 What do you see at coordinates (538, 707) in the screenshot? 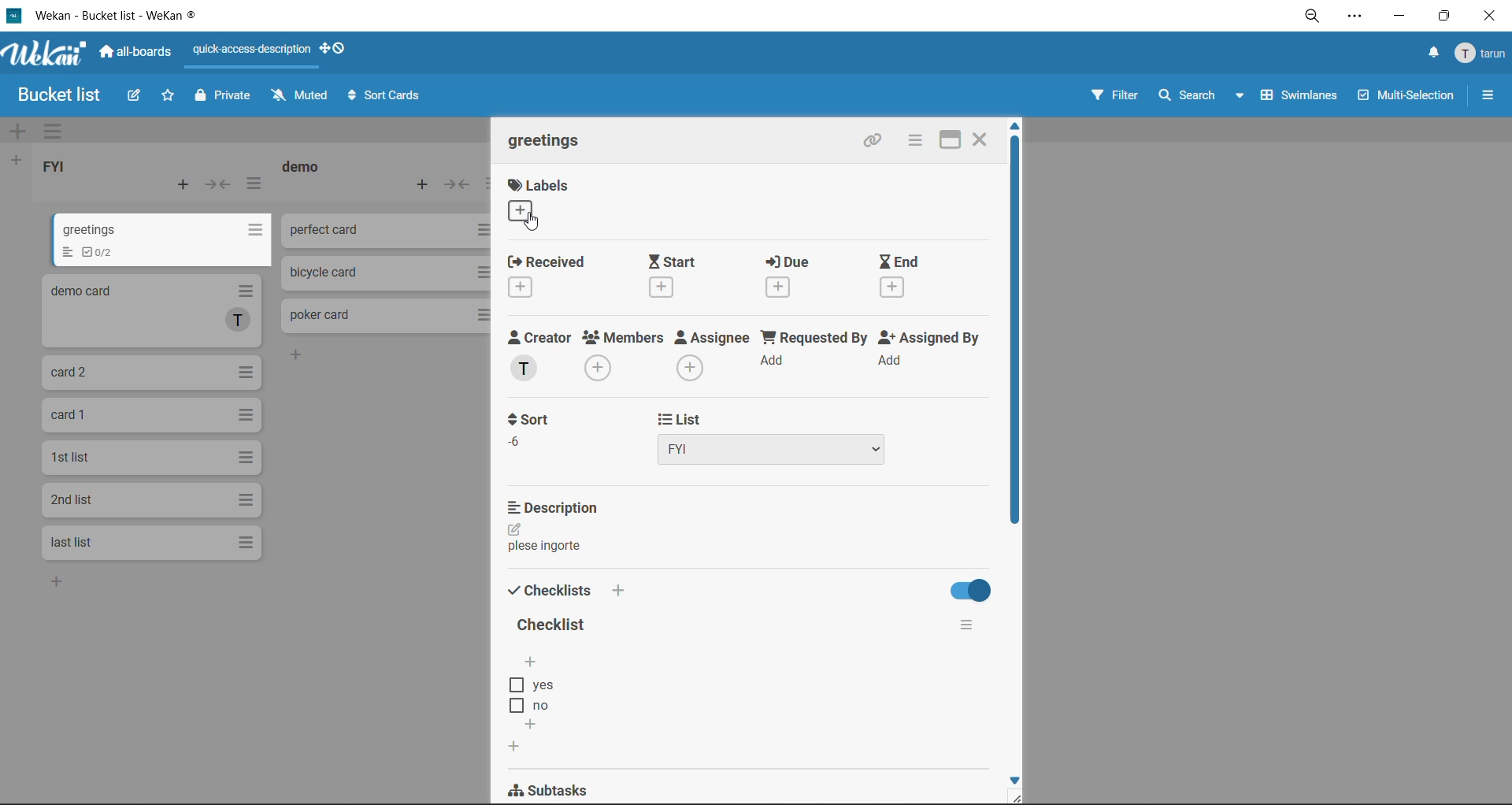
I see `checklist option` at bounding box center [538, 707].